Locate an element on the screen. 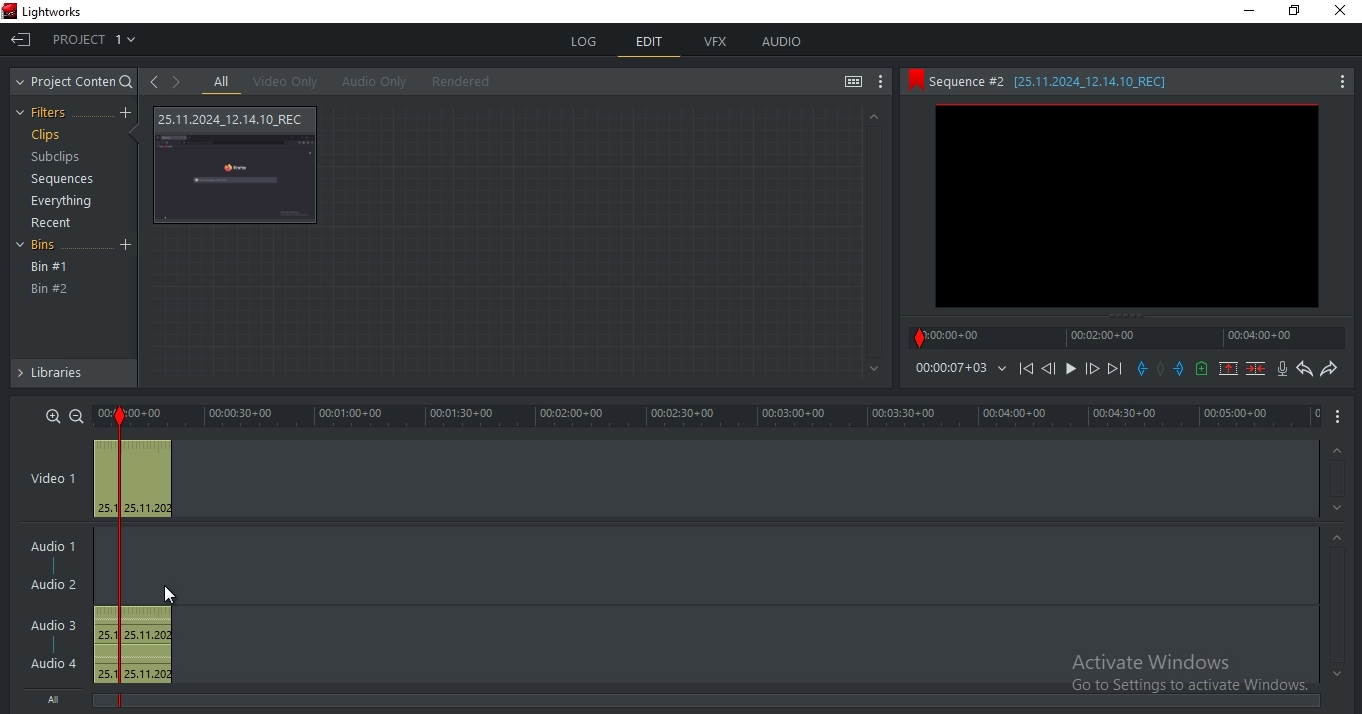  filters is located at coordinates (47, 113).